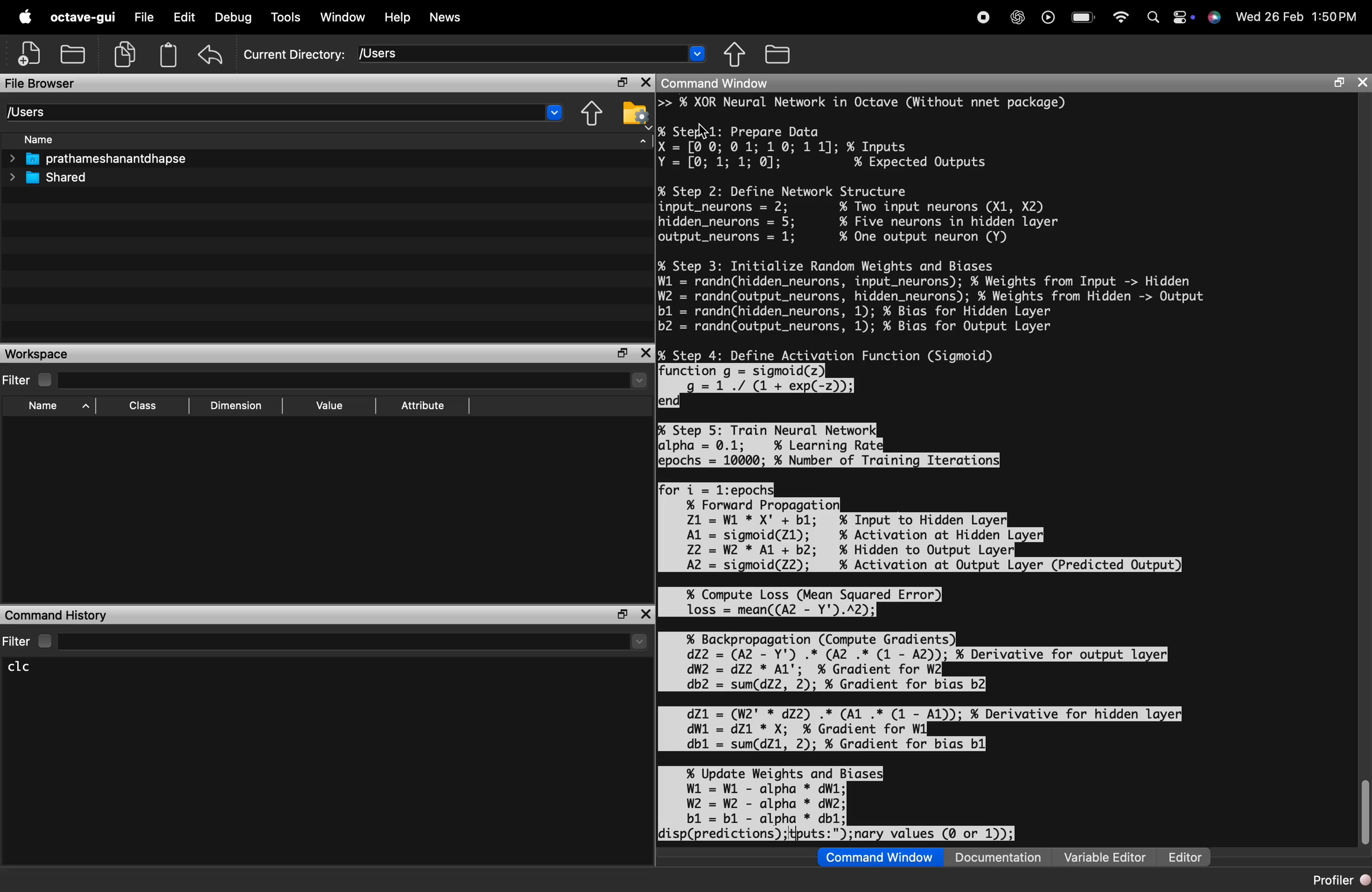  What do you see at coordinates (1120, 16) in the screenshot?
I see `wifi` at bounding box center [1120, 16].